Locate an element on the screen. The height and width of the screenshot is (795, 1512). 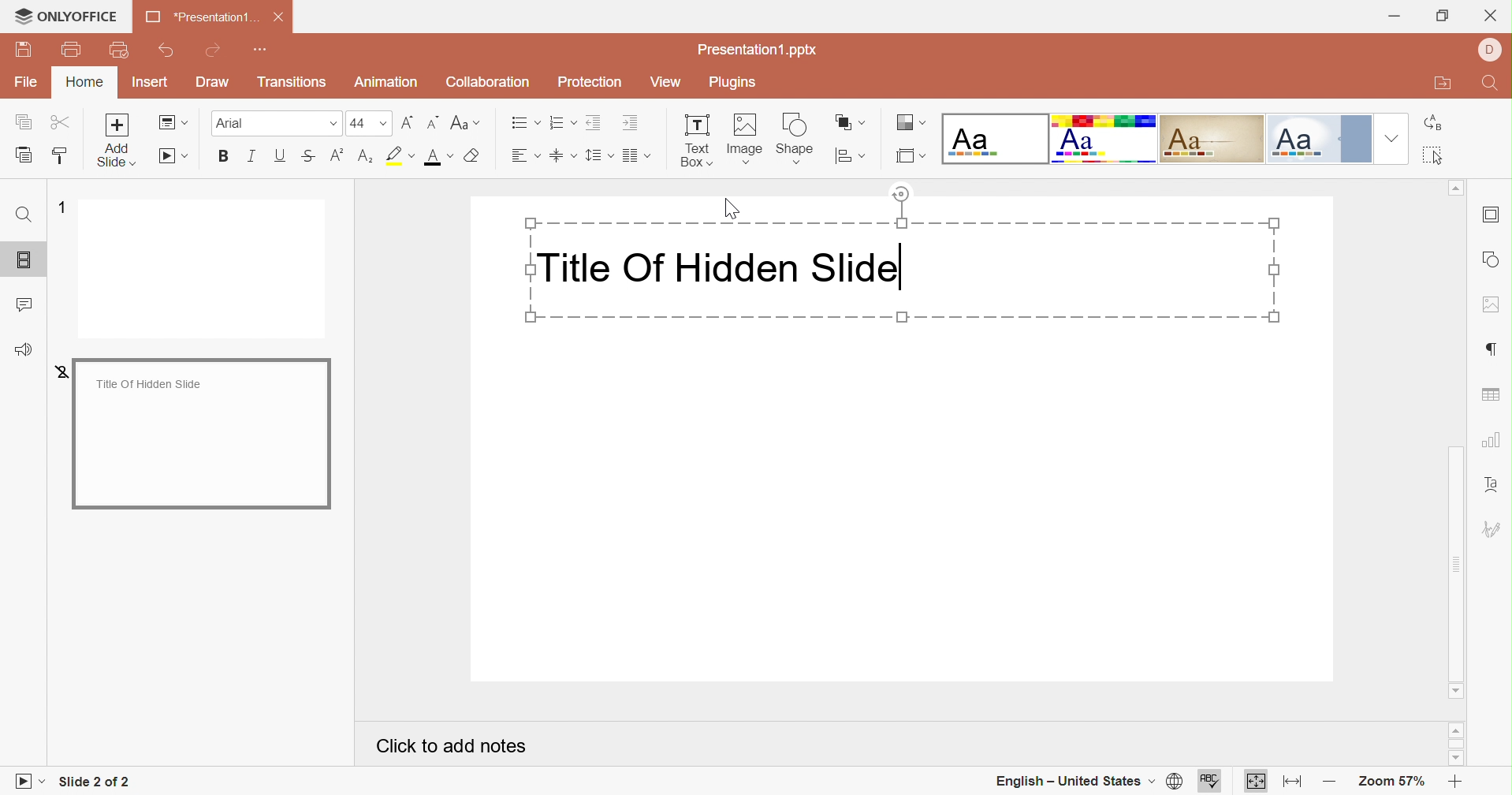
Copy is located at coordinates (23, 121).